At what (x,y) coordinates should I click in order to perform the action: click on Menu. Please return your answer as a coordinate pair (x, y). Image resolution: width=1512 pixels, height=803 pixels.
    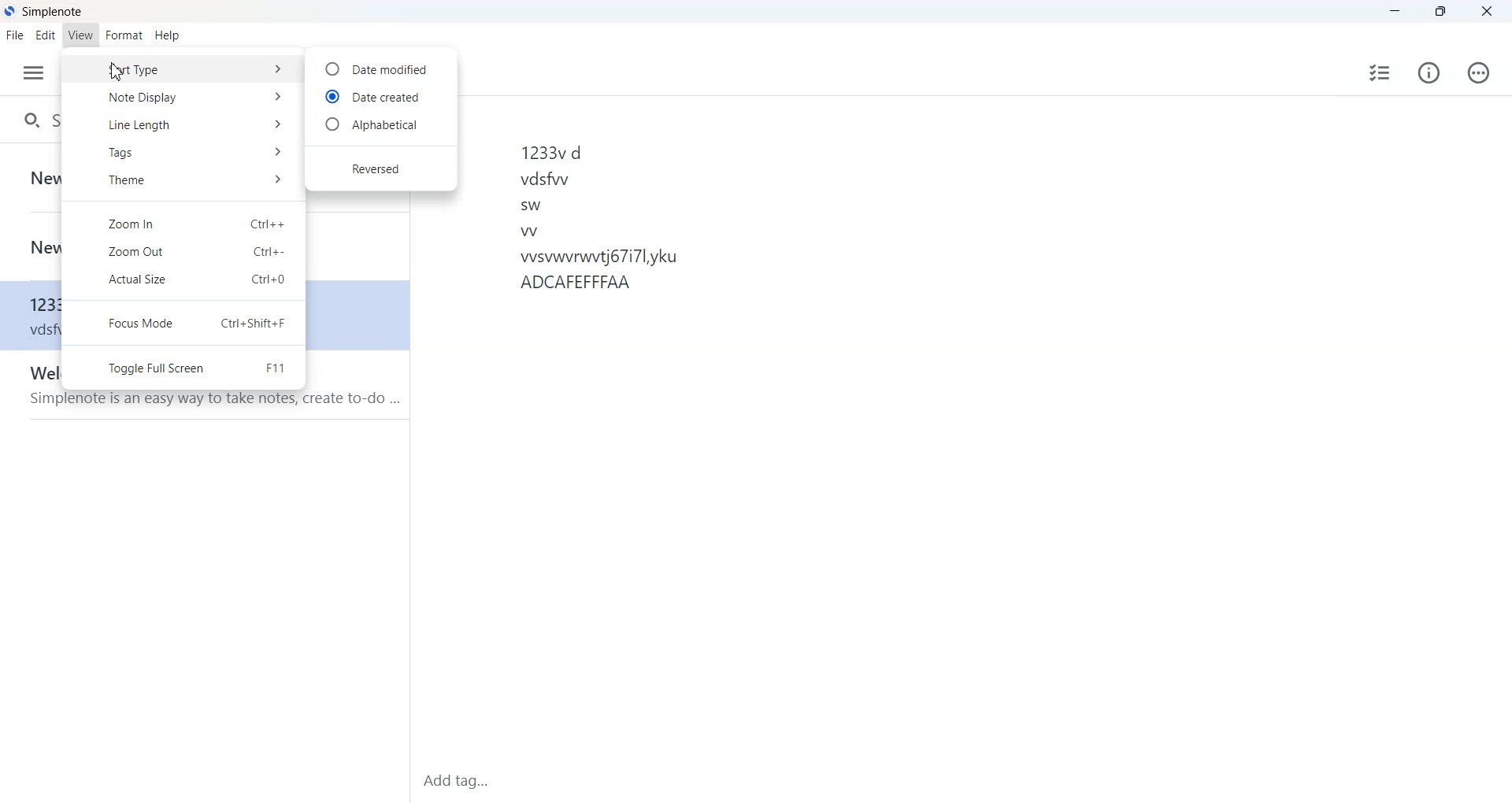
    Looking at the image, I should click on (35, 73).